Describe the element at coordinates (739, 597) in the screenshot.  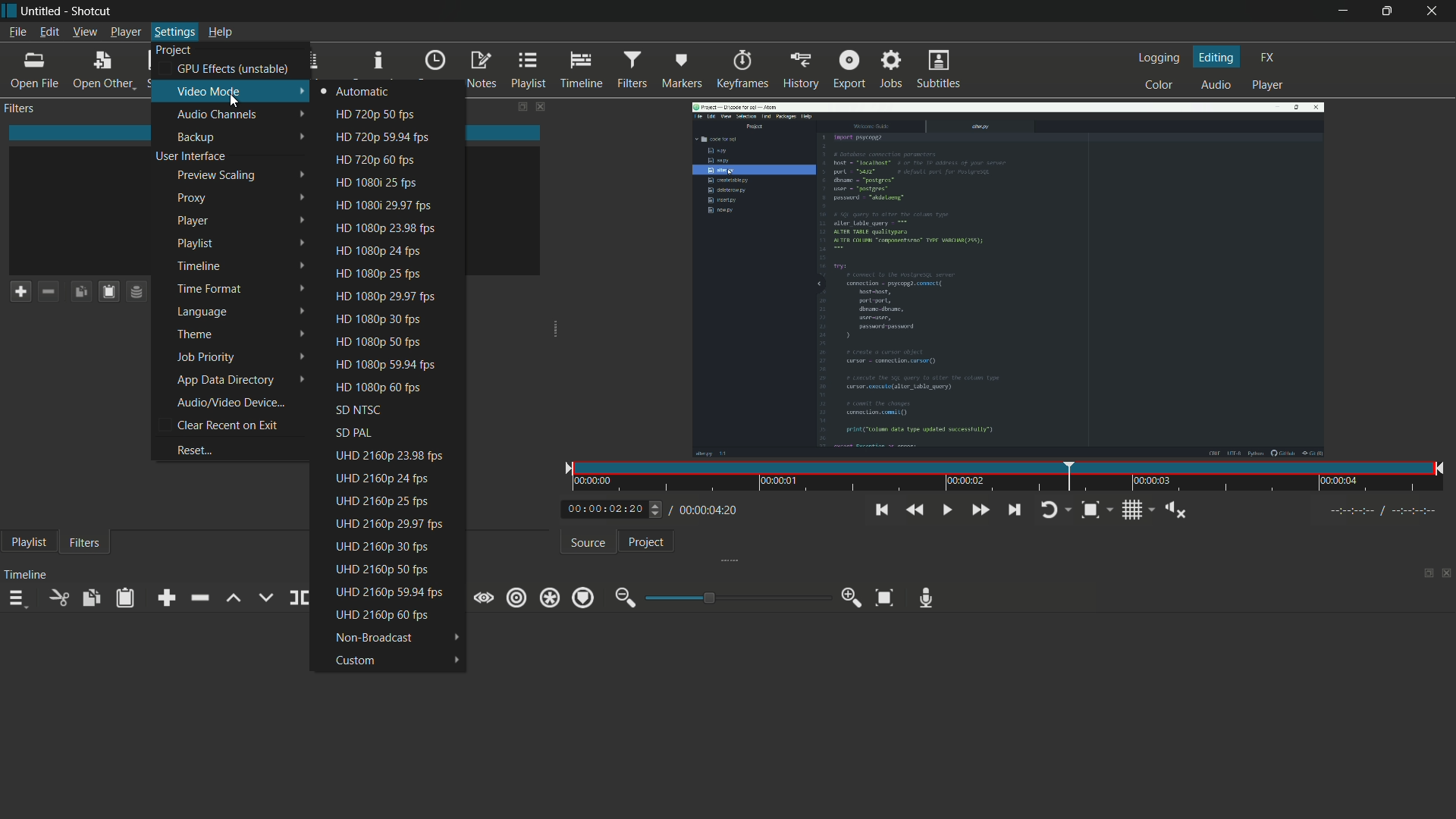
I see `adjustment bar` at that location.